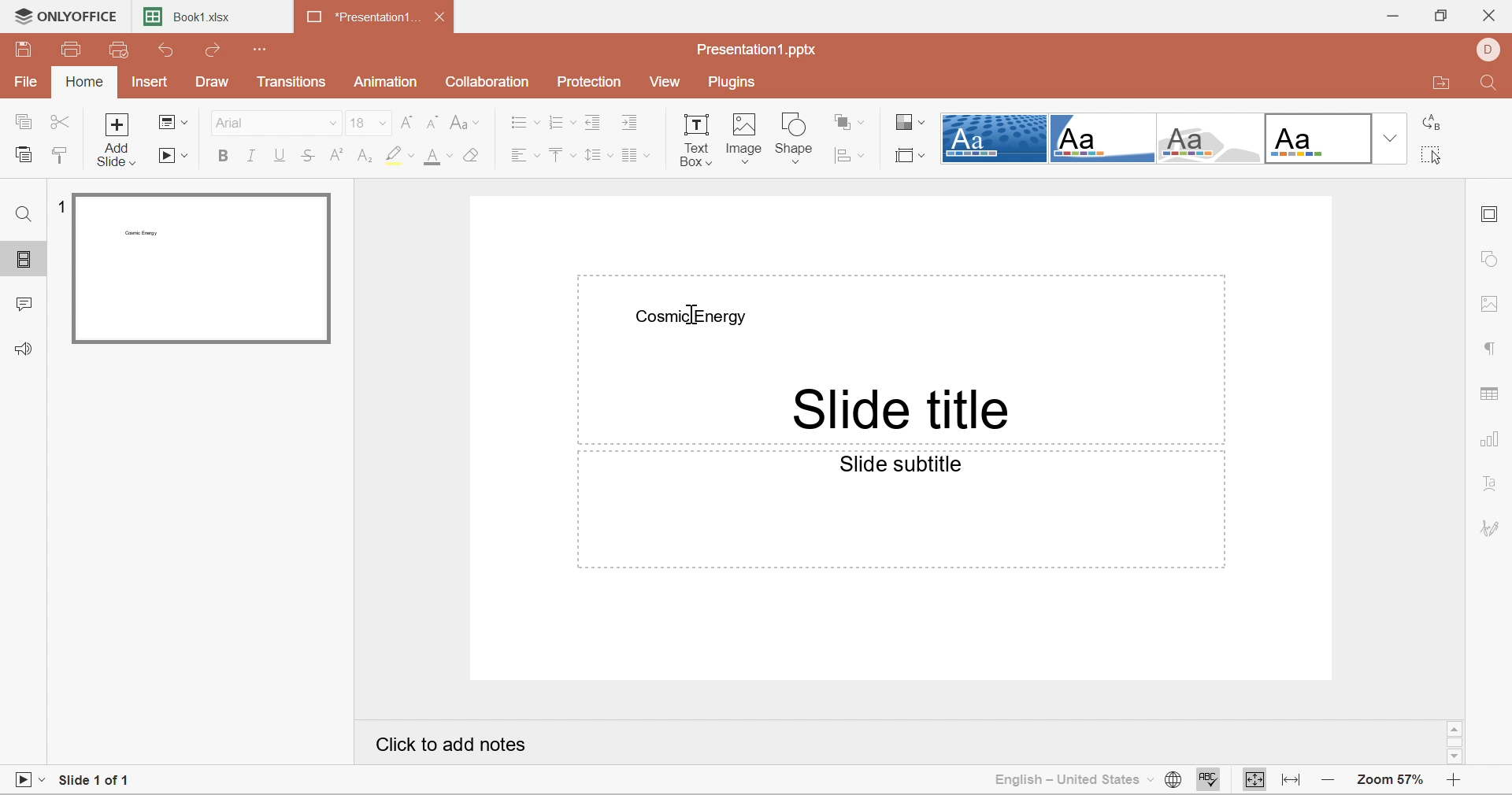 The width and height of the screenshot is (1512, 795). What do you see at coordinates (1390, 136) in the screenshot?
I see `Drop Down` at bounding box center [1390, 136].